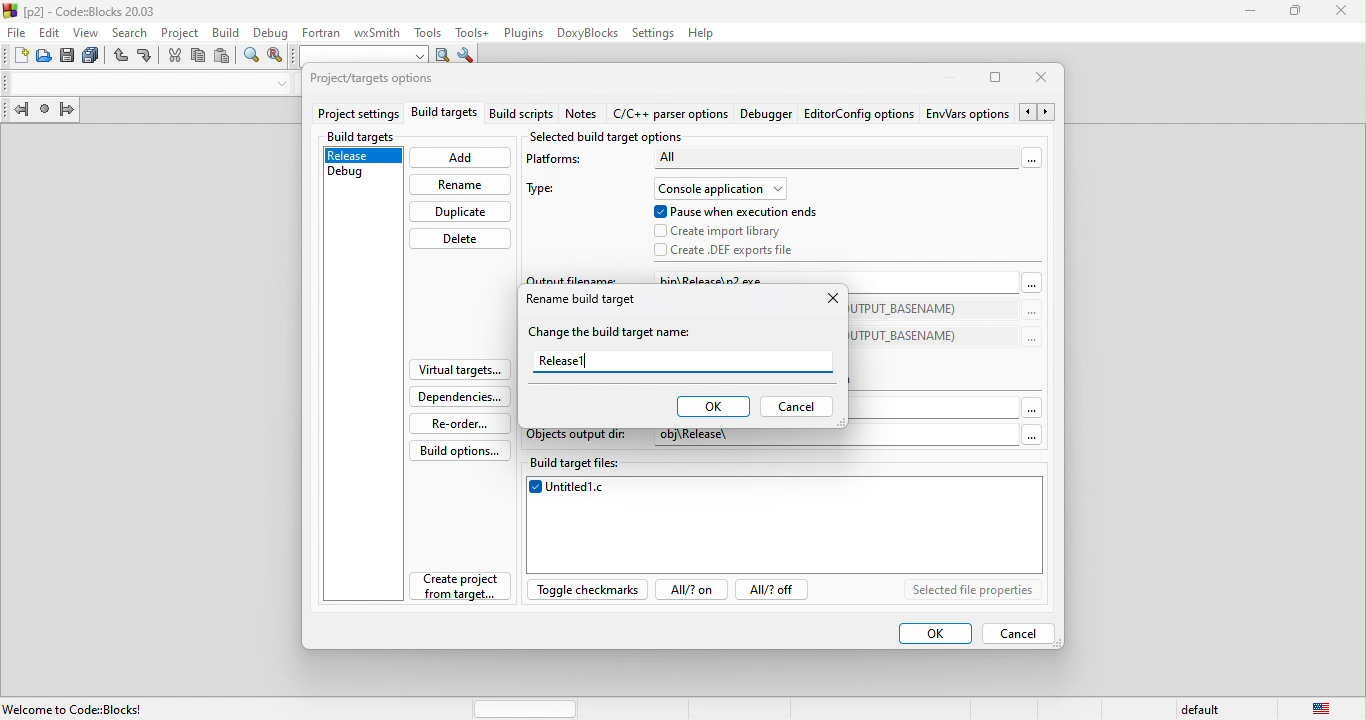 This screenshot has width=1366, height=720. I want to click on objects output dir, so click(578, 438).